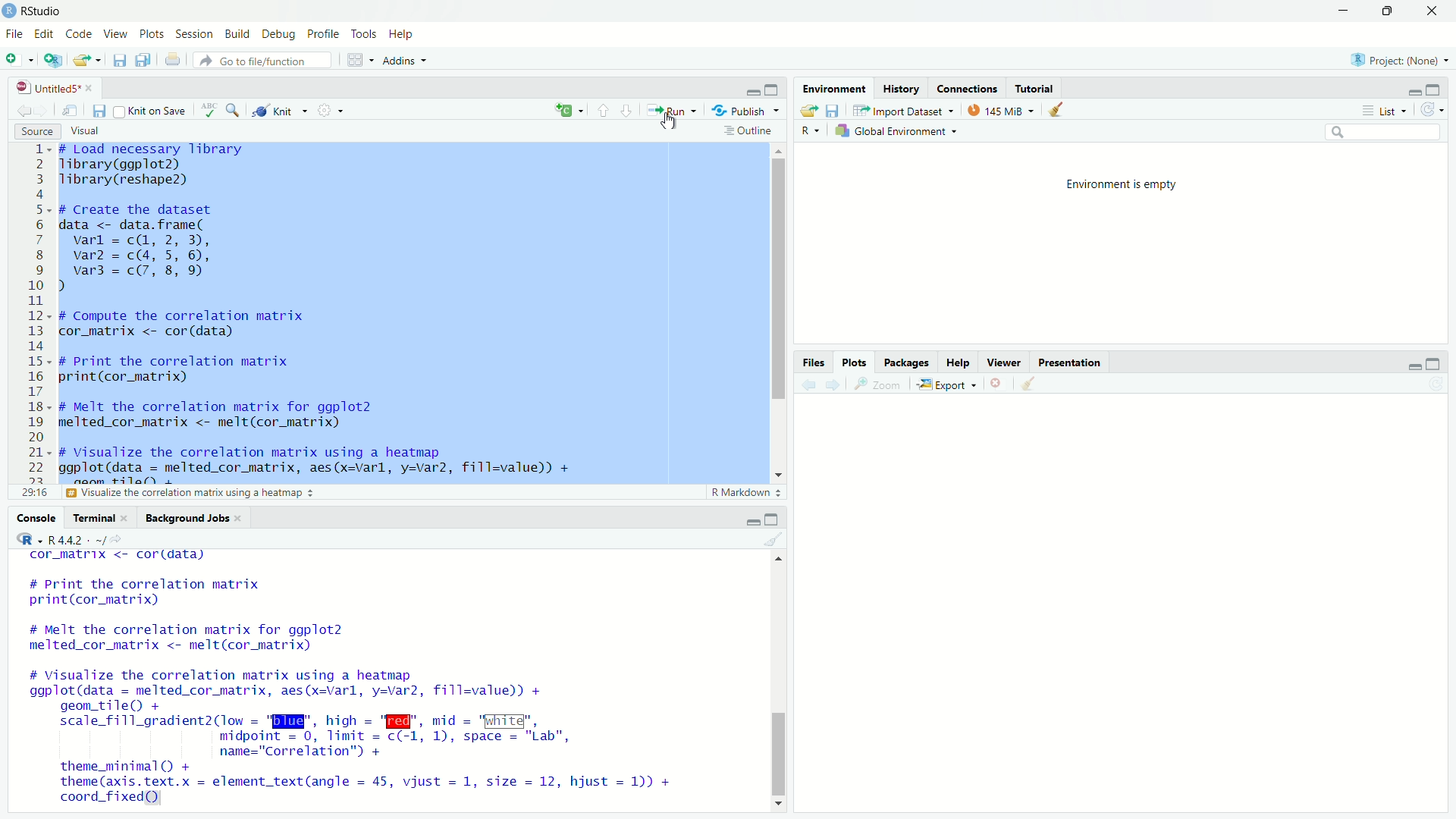 This screenshot has width=1456, height=819. Describe the element at coordinates (1433, 11) in the screenshot. I see `close` at that location.